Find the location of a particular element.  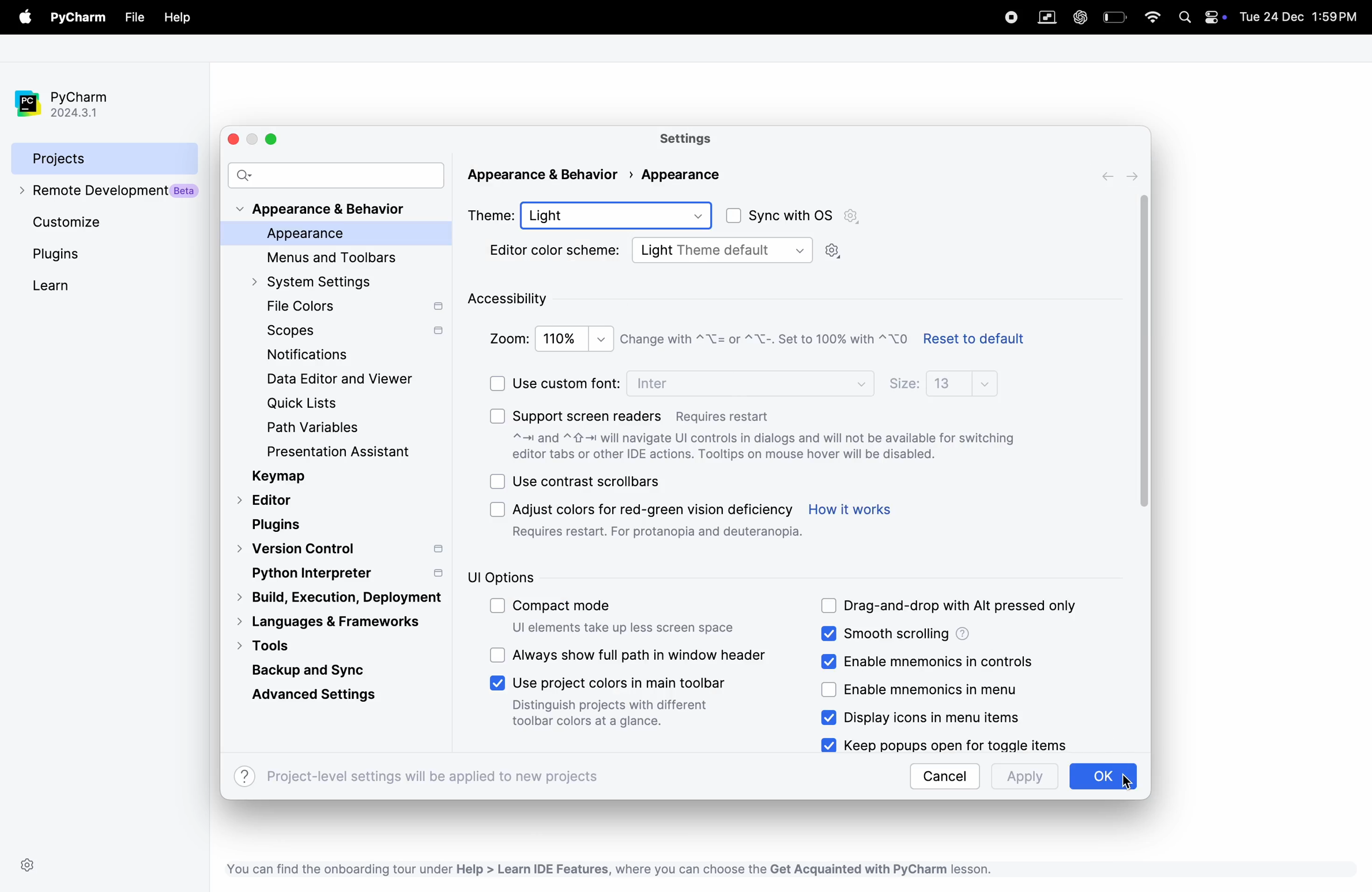

search is located at coordinates (337, 176).